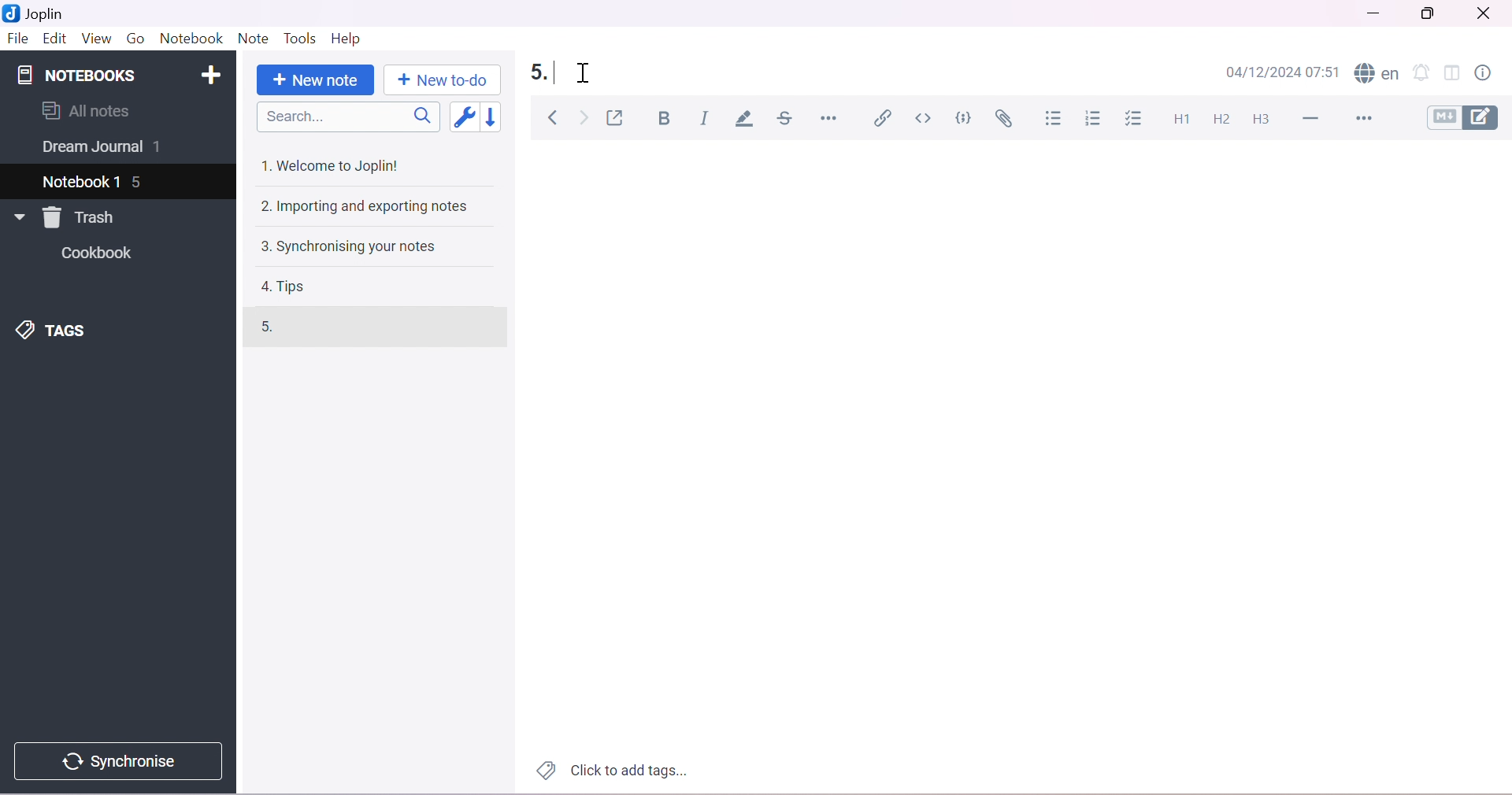 The width and height of the screenshot is (1512, 795). Describe the element at coordinates (313, 80) in the screenshot. I see `New note` at that location.